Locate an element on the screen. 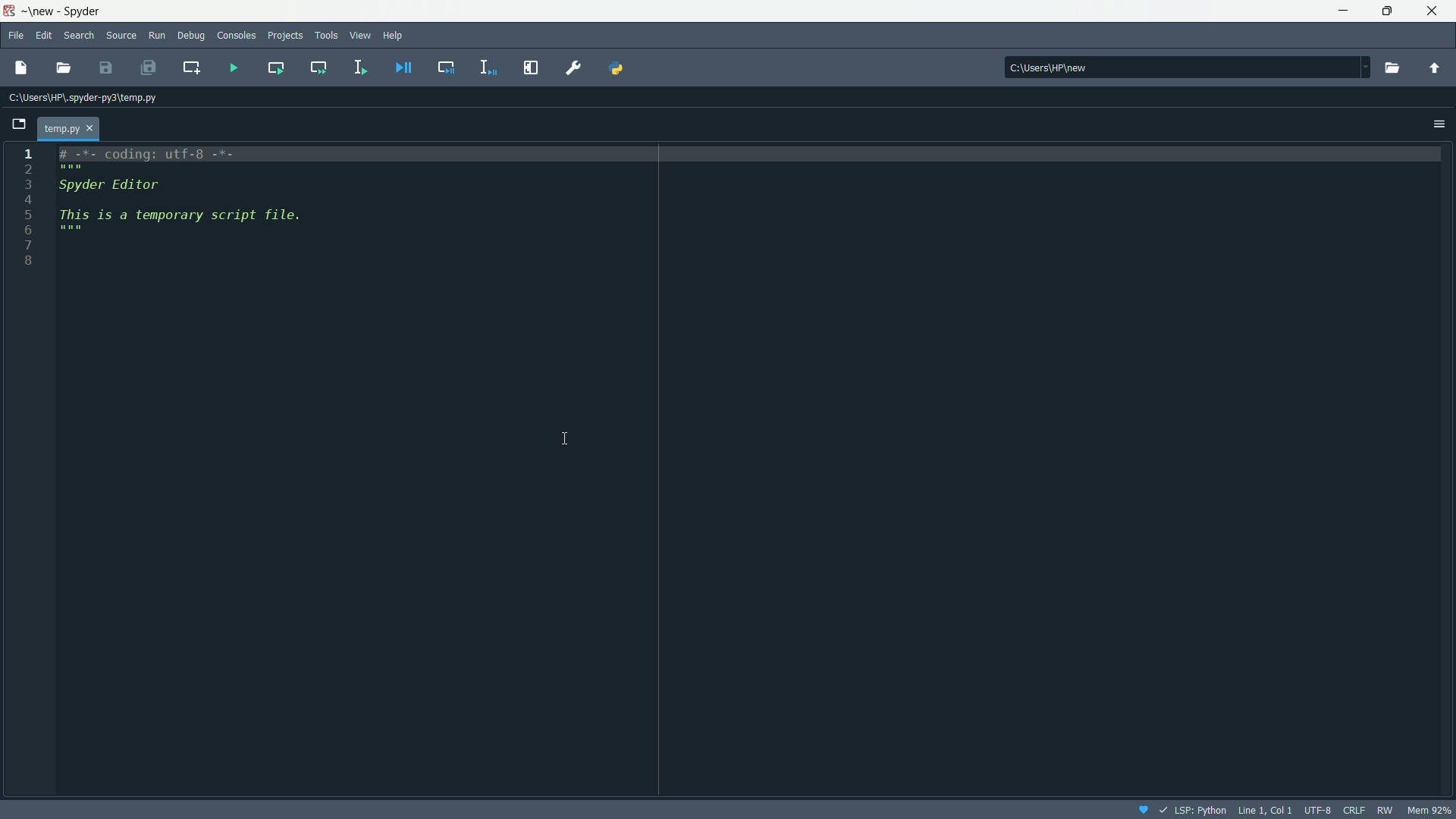 This screenshot has height=819, width=1456. parent directory is located at coordinates (1435, 69).